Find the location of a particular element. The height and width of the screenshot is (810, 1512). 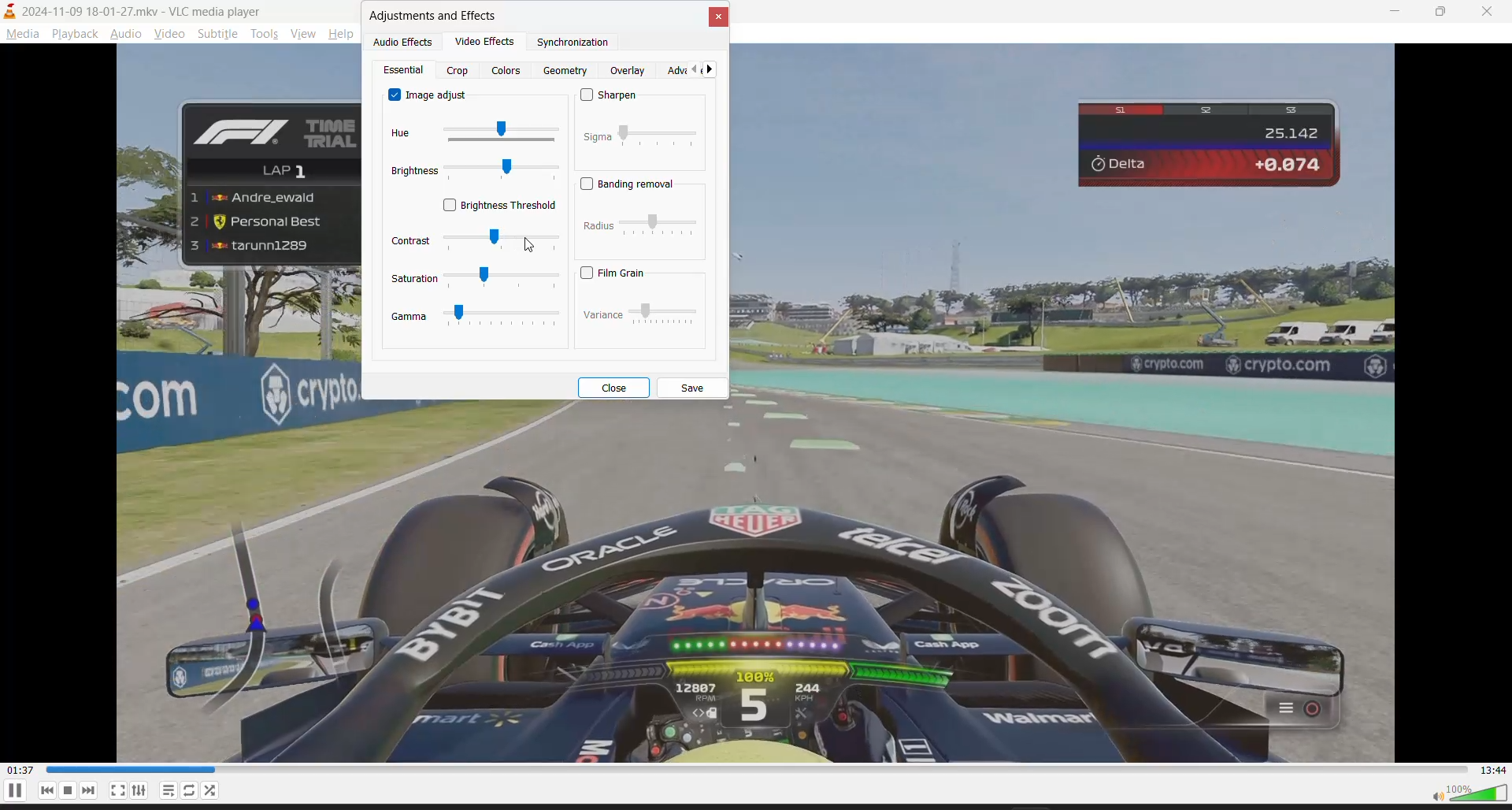

banding removal is located at coordinates (629, 184).